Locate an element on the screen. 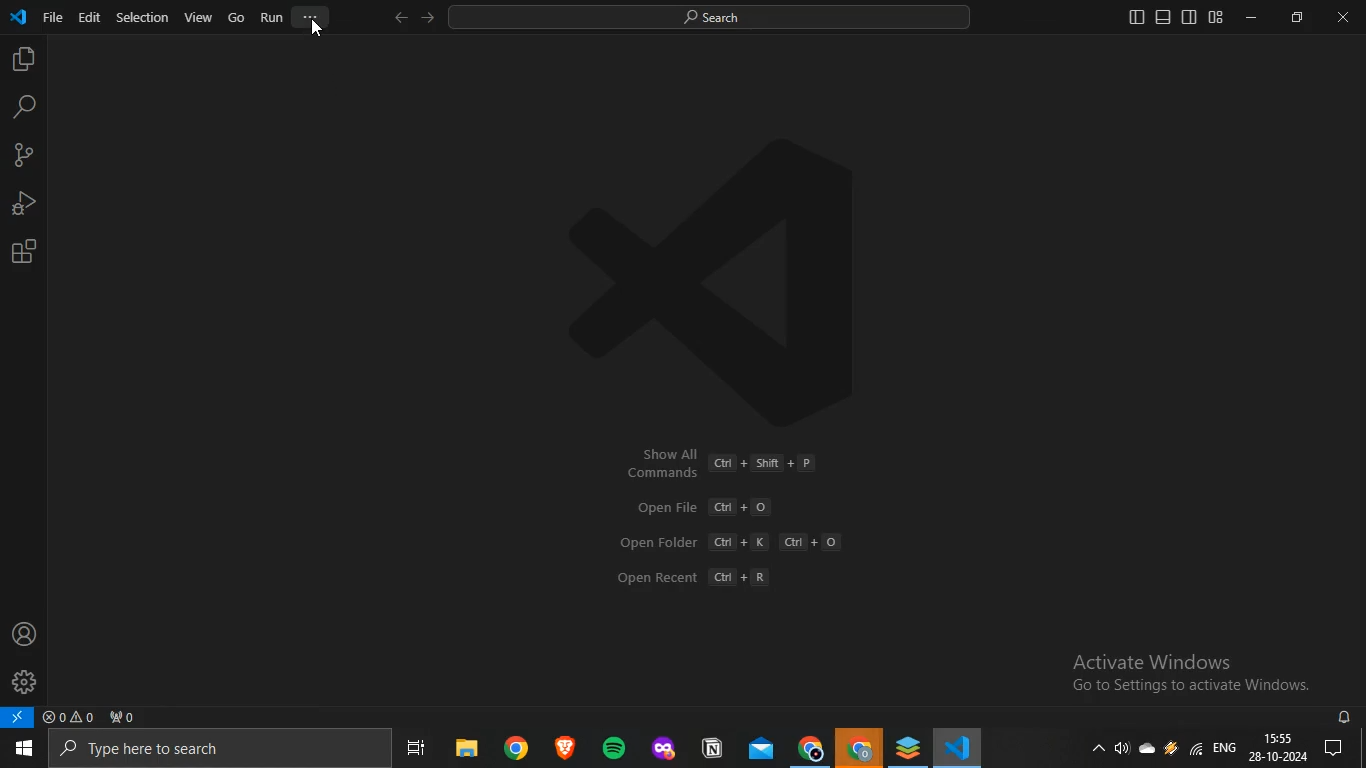 This screenshot has width=1366, height=768. close is located at coordinates (1343, 17).